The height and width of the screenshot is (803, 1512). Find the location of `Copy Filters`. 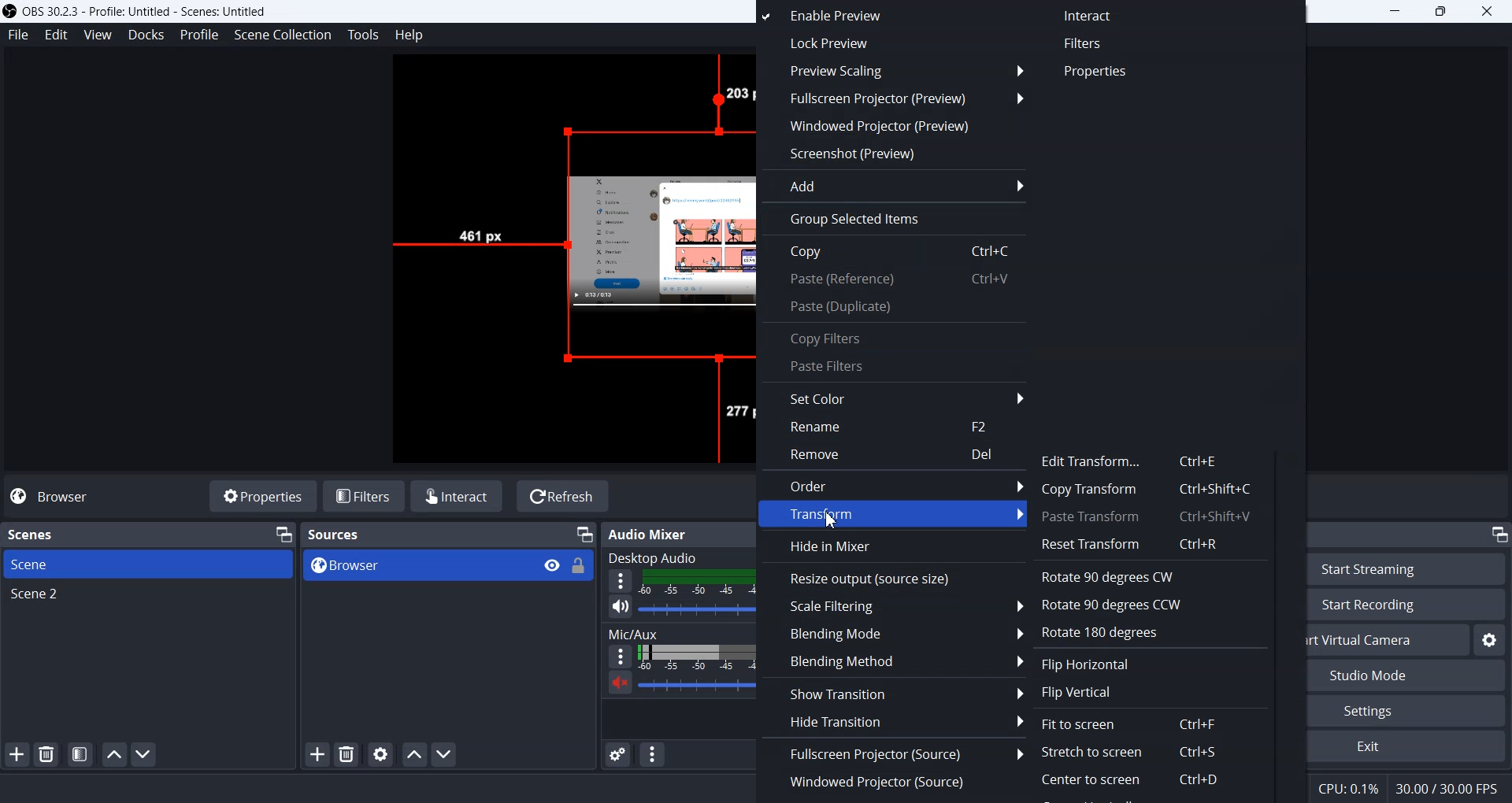

Copy Filters is located at coordinates (895, 336).